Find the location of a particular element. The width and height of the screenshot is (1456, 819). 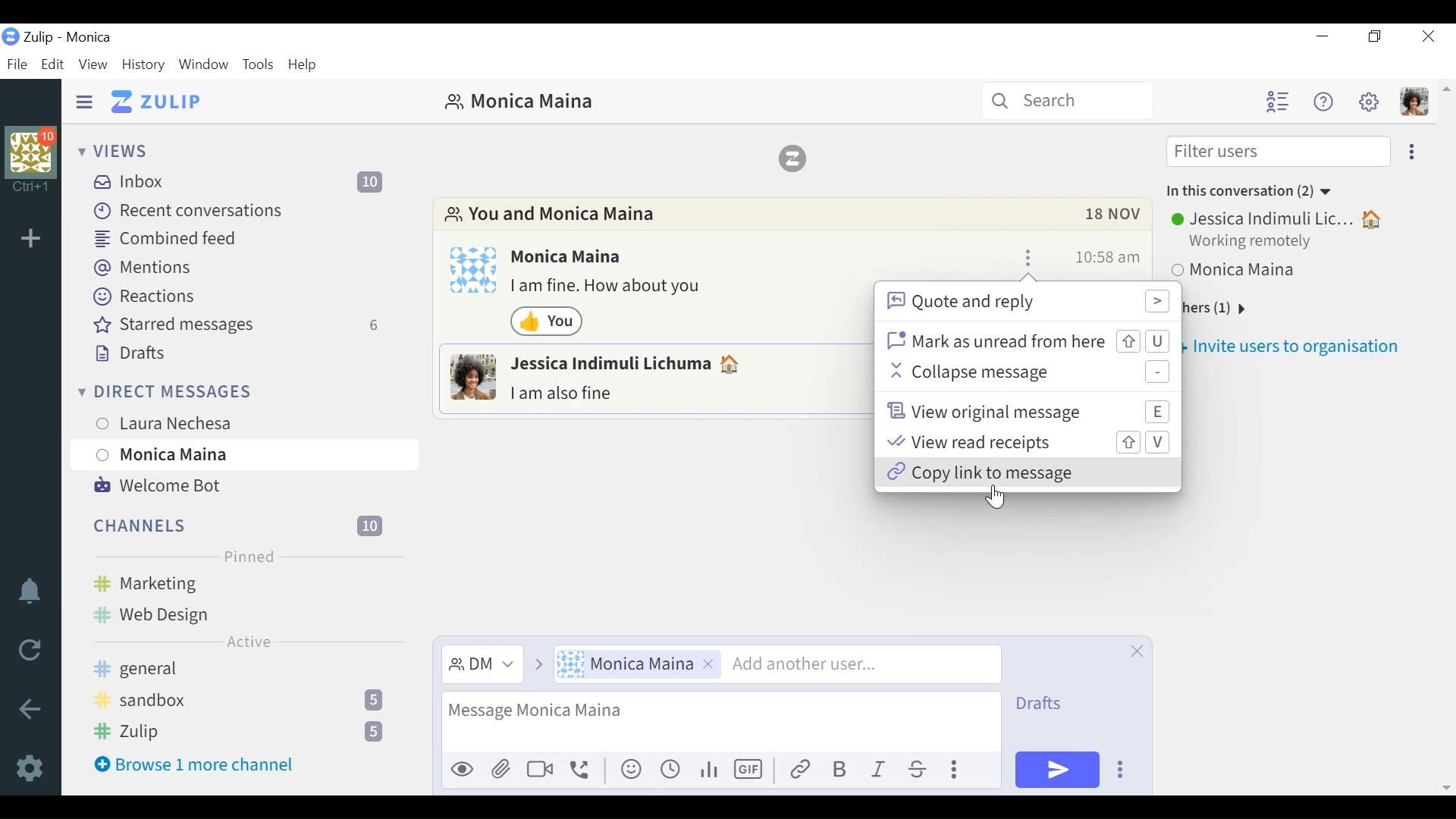

Starred messages is located at coordinates (240, 325).